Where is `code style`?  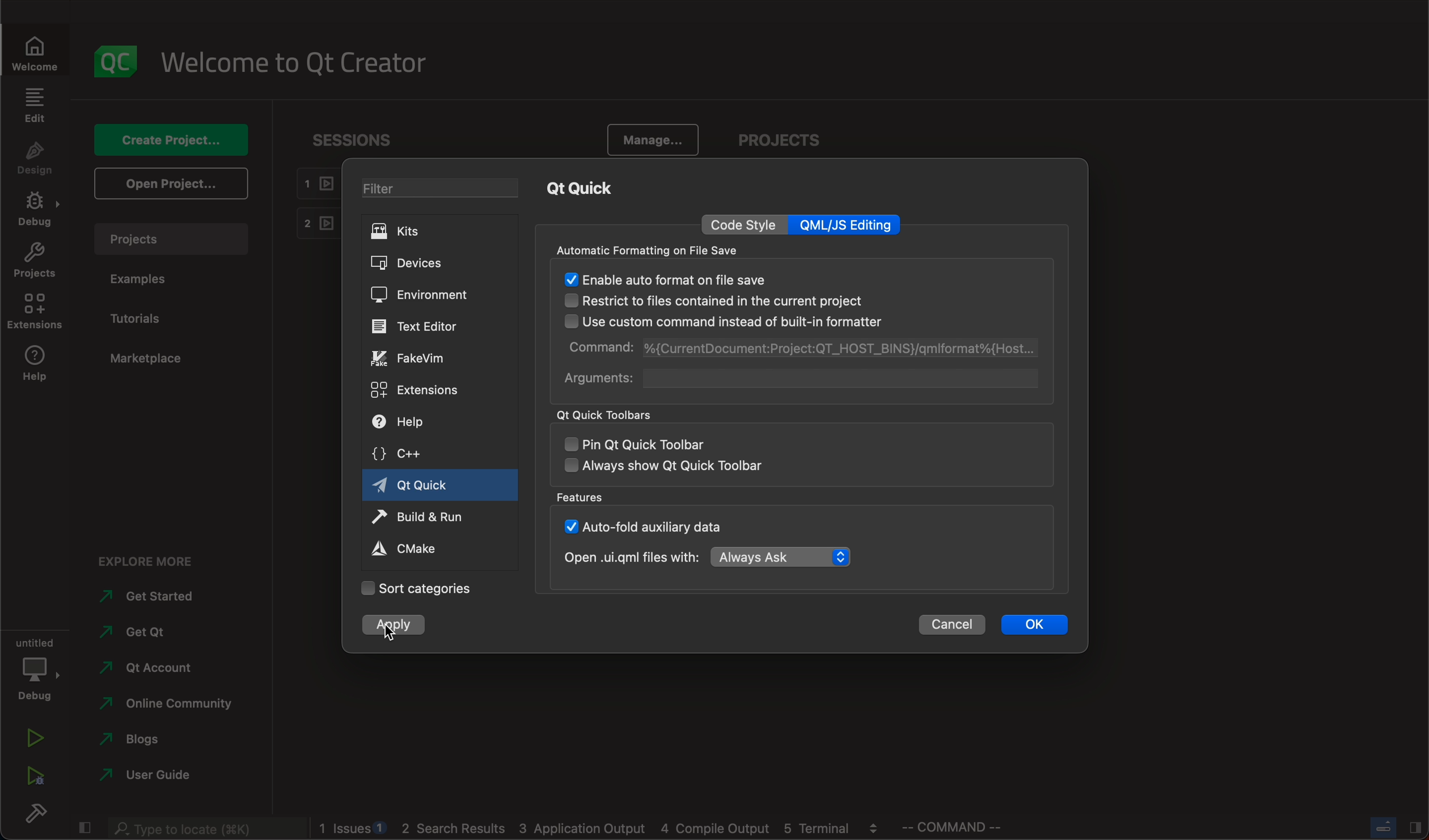
code style is located at coordinates (745, 226).